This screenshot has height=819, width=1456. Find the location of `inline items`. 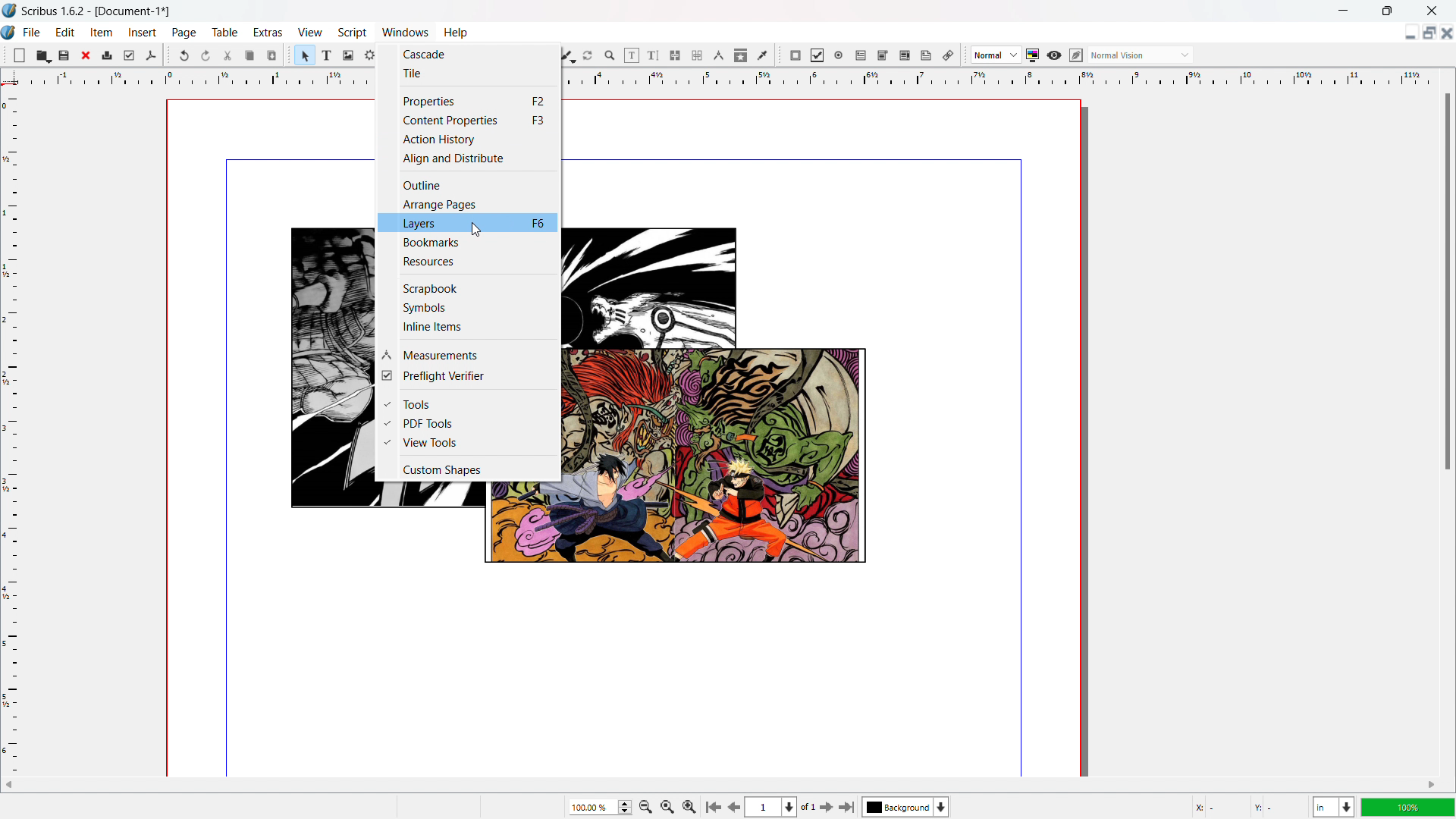

inline items is located at coordinates (469, 327).